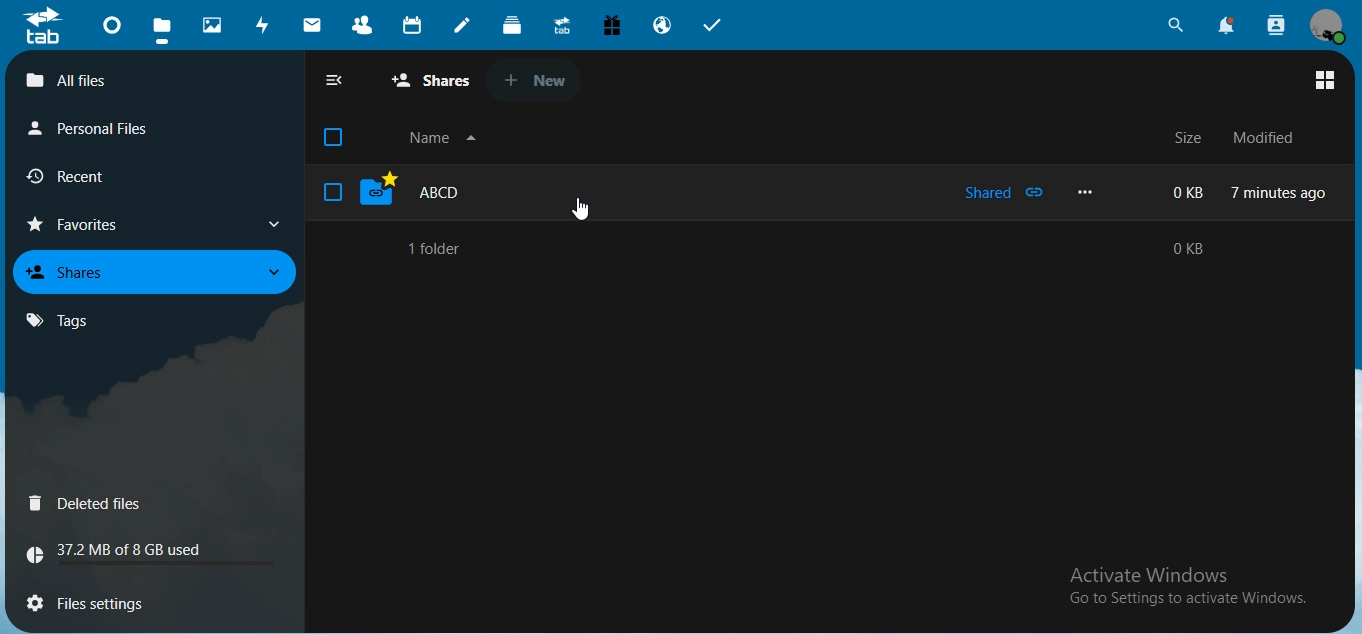  Describe the element at coordinates (98, 128) in the screenshot. I see `personal files` at that location.